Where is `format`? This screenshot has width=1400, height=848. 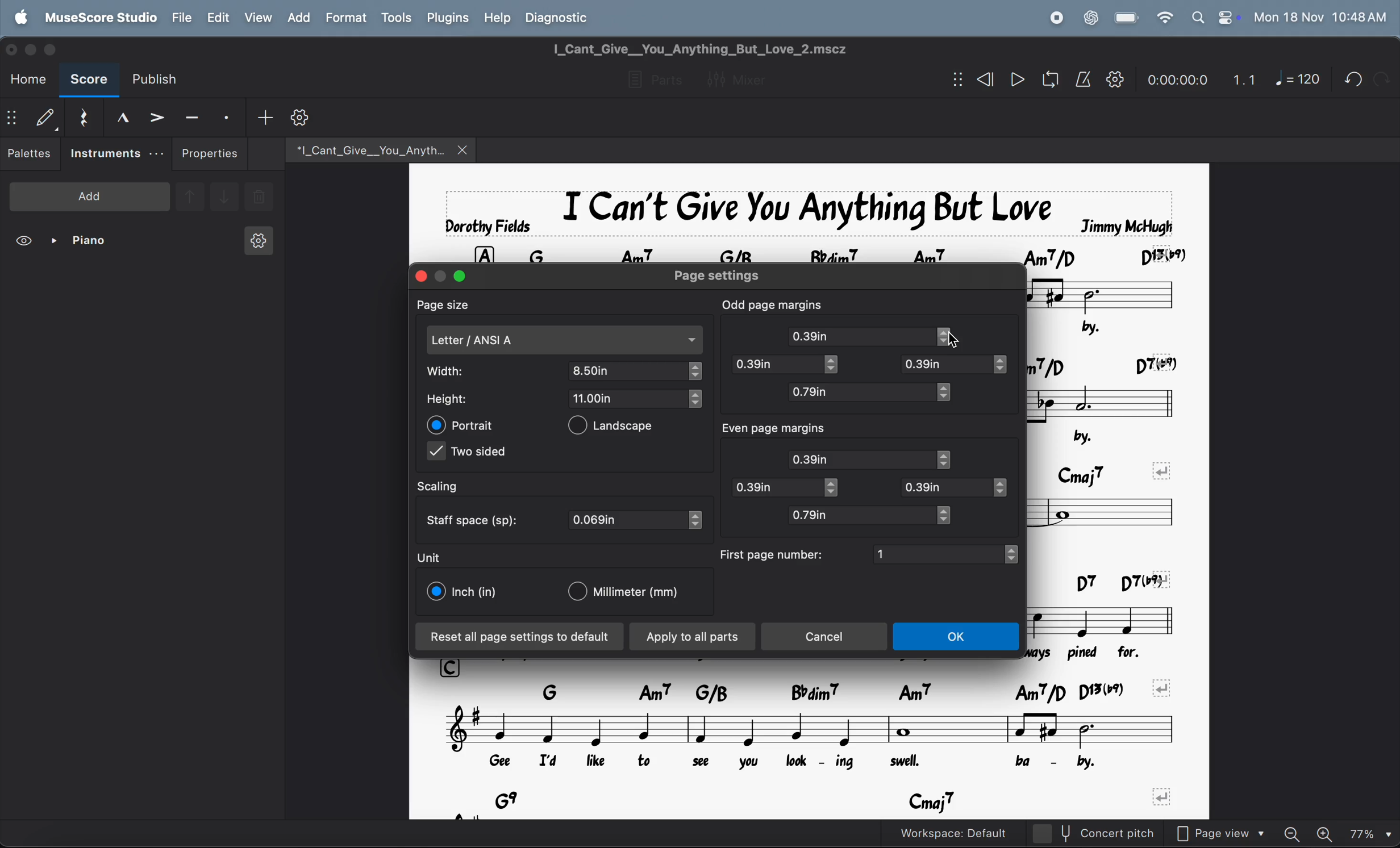
format is located at coordinates (345, 18).